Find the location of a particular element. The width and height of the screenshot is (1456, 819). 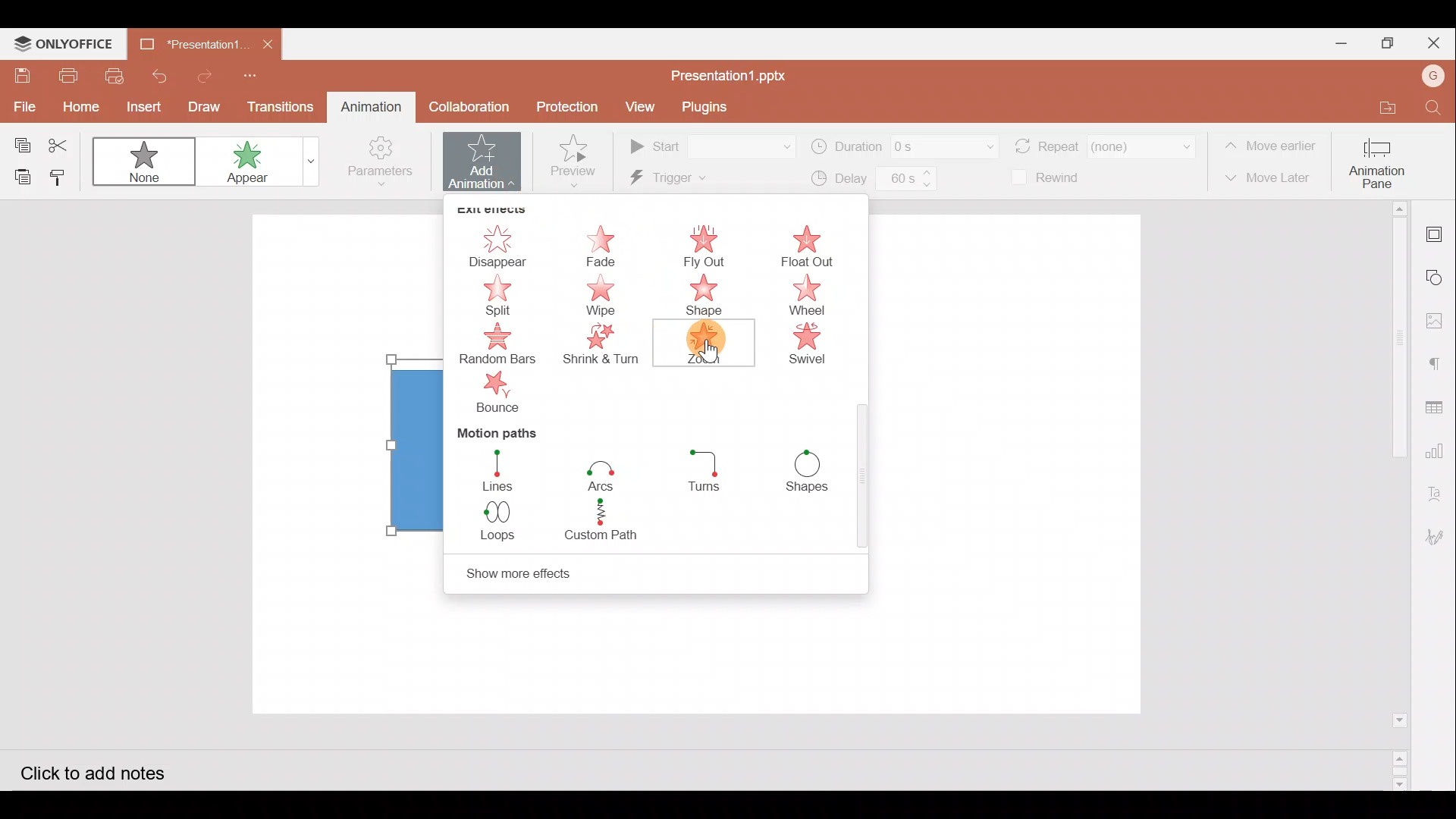

Paragraph settings is located at coordinates (1437, 362).